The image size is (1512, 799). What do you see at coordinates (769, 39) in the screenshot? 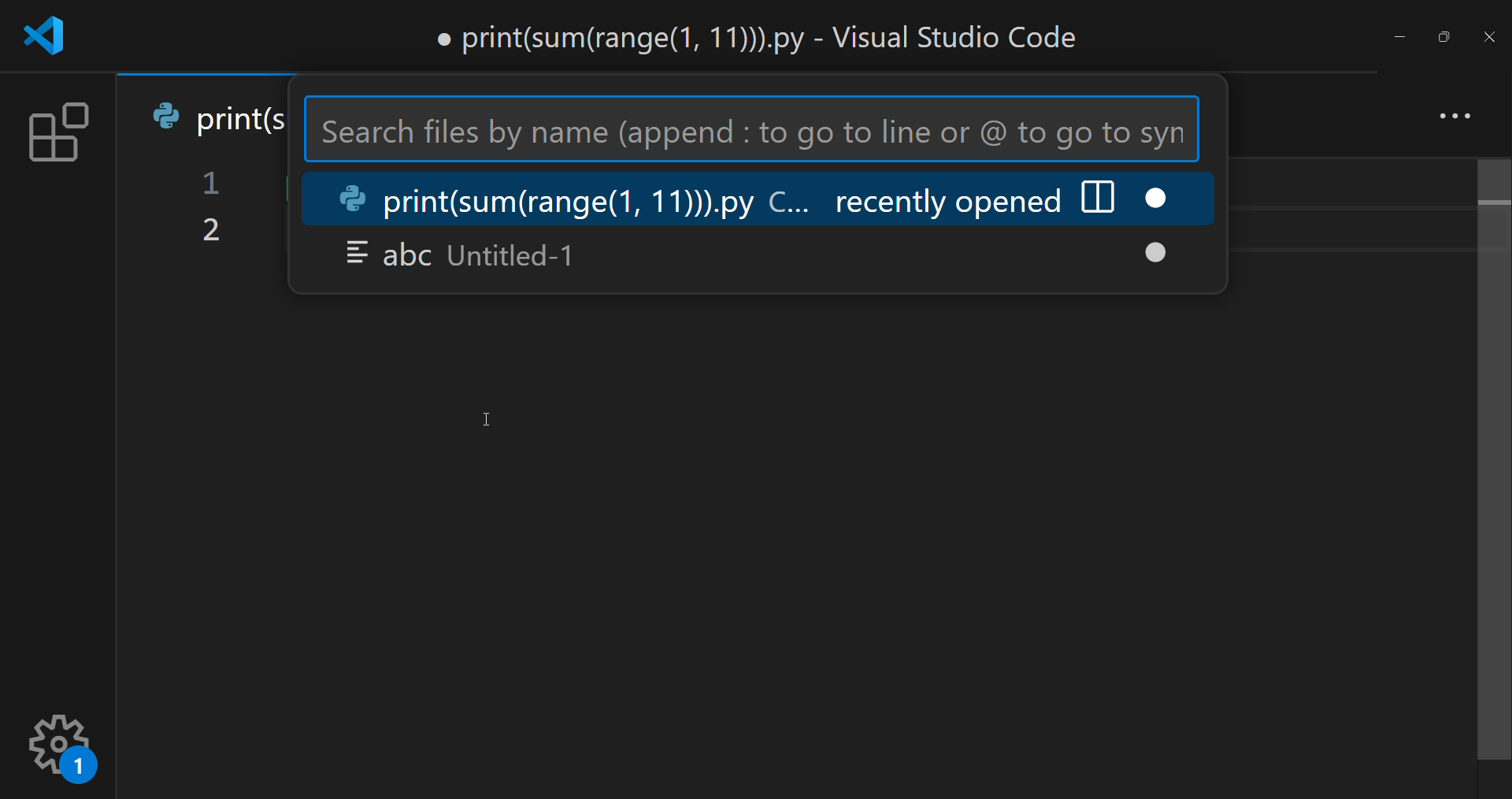
I see `print(sum(range(1, 11))).py - Visual Studio Code` at bounding box center [769, 39].